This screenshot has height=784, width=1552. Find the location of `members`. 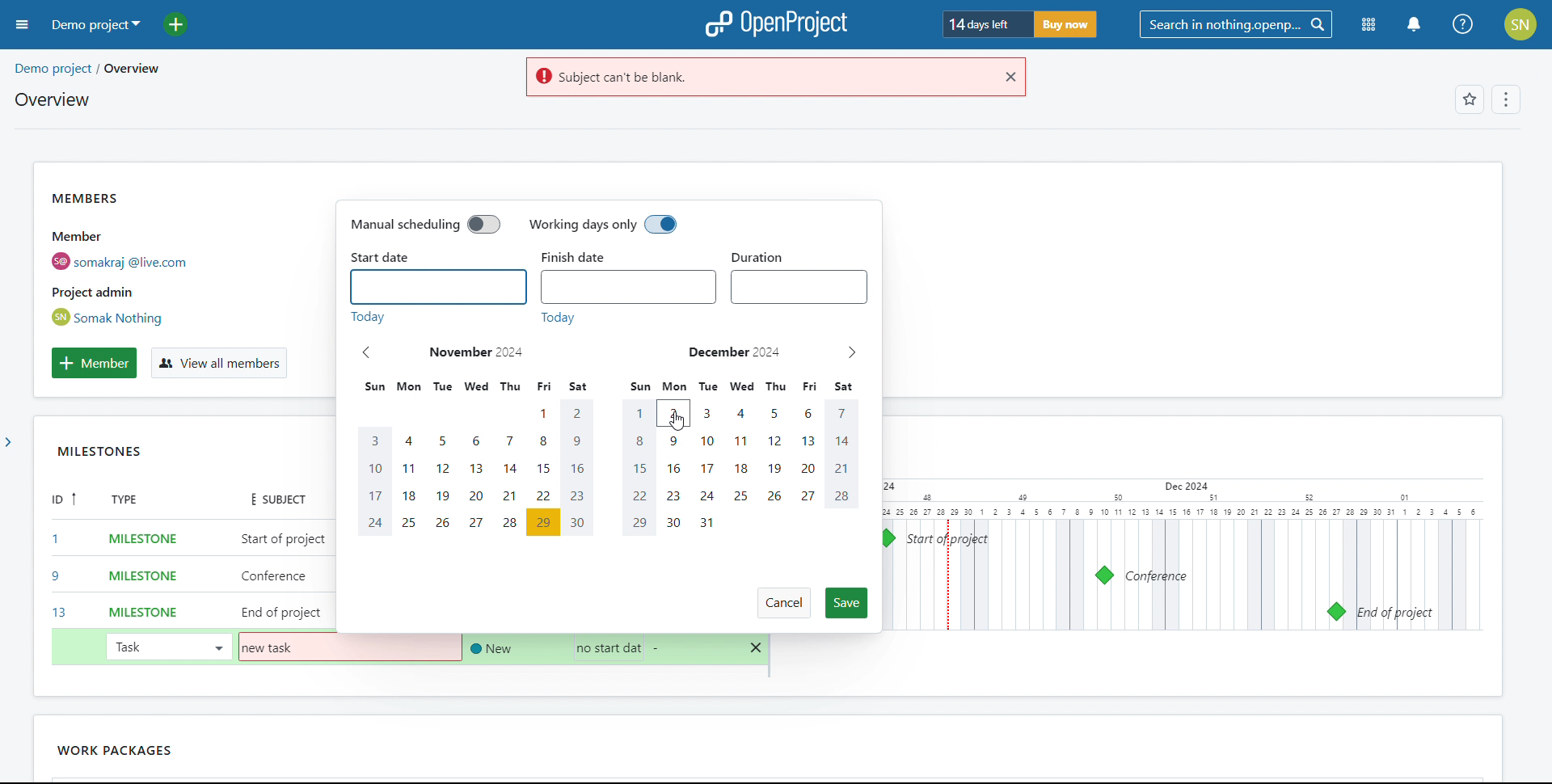

members is located at coordinates (149, 258).